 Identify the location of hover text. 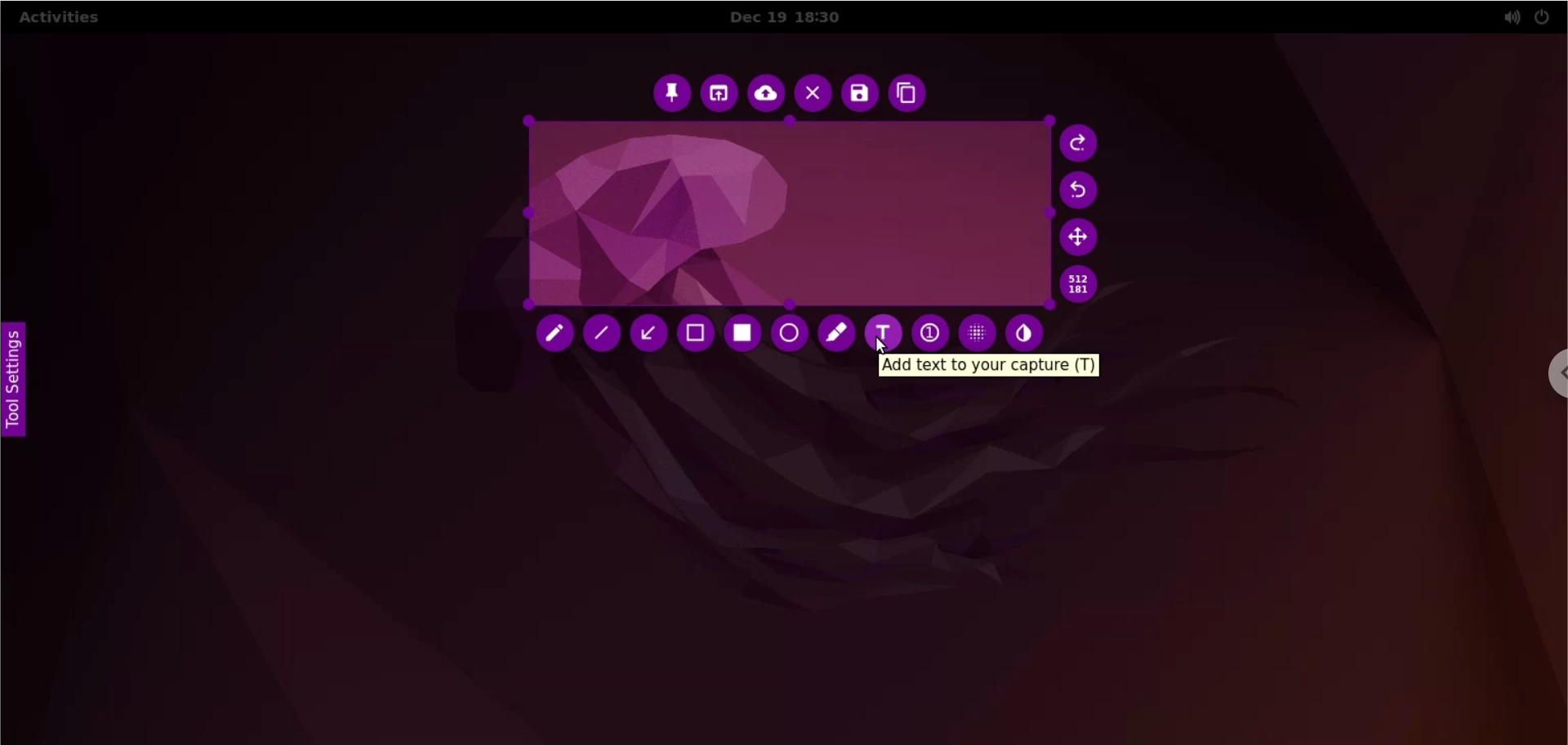
(993, 367).